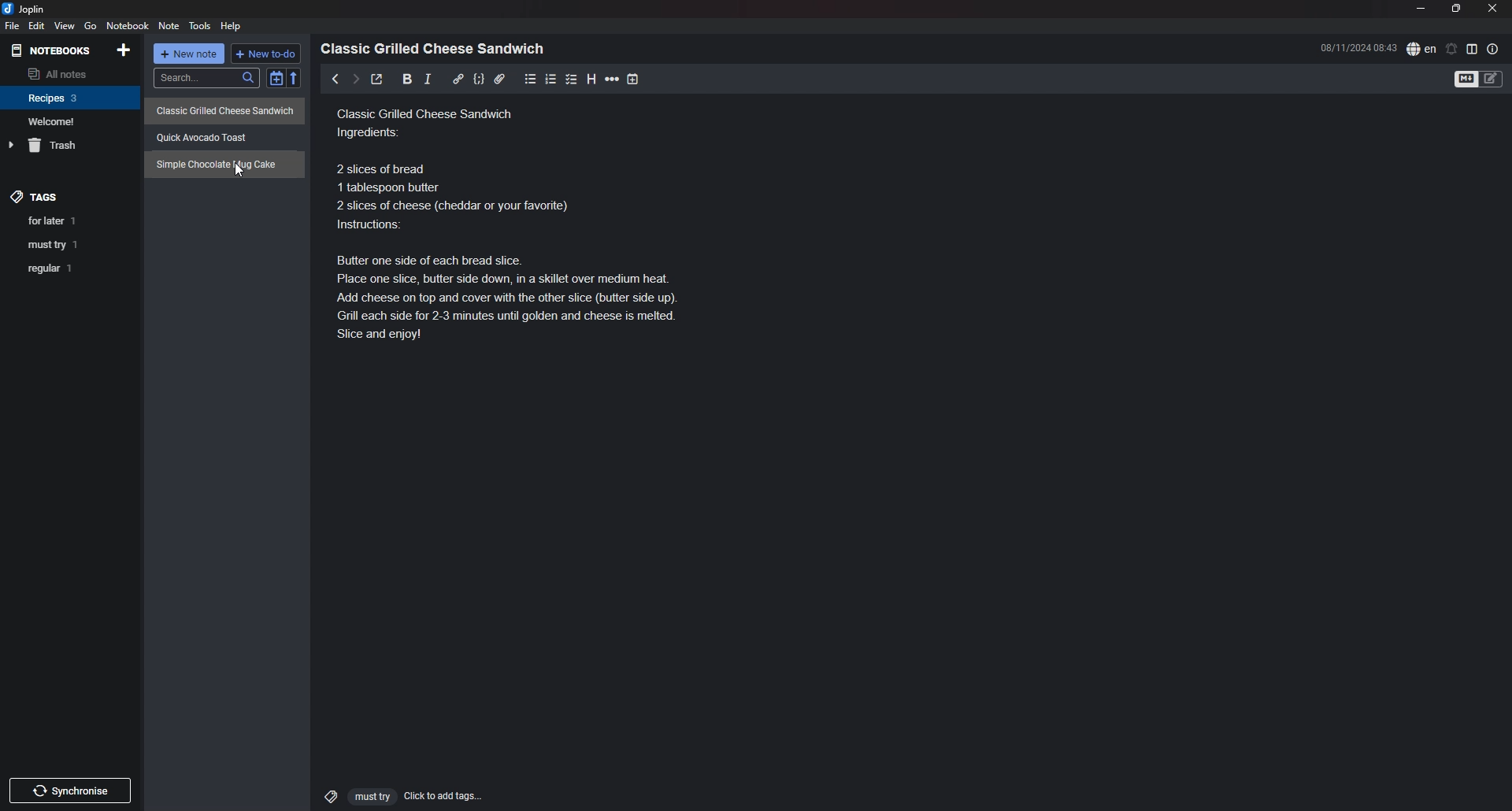  Describe the element at coordinates (1421, 48) in the screenshot. I see `spell check` at that location.